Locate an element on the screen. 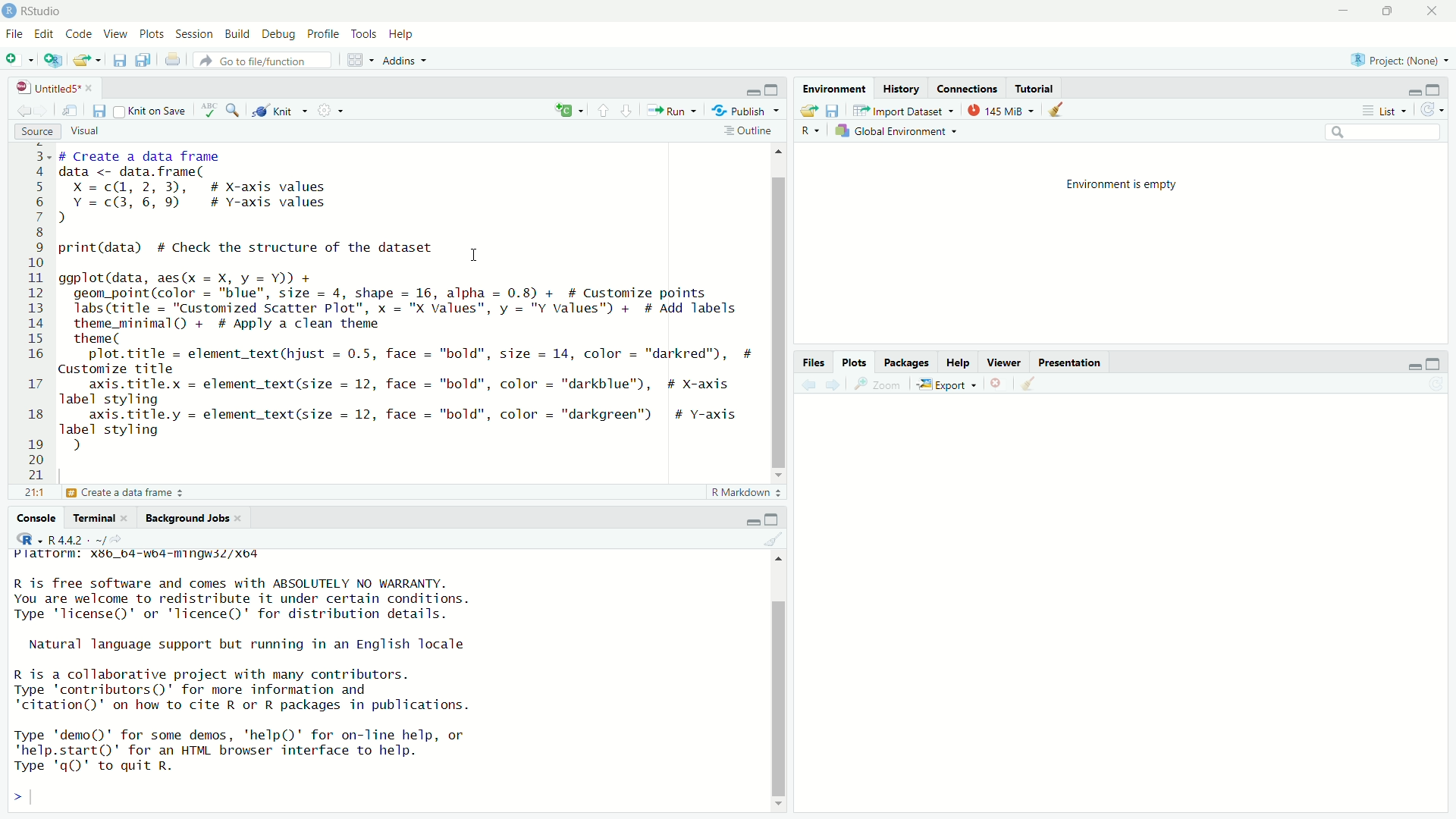 This screenshot has height=819, width=1456. Maximize is located at coordinates (1433, 89).